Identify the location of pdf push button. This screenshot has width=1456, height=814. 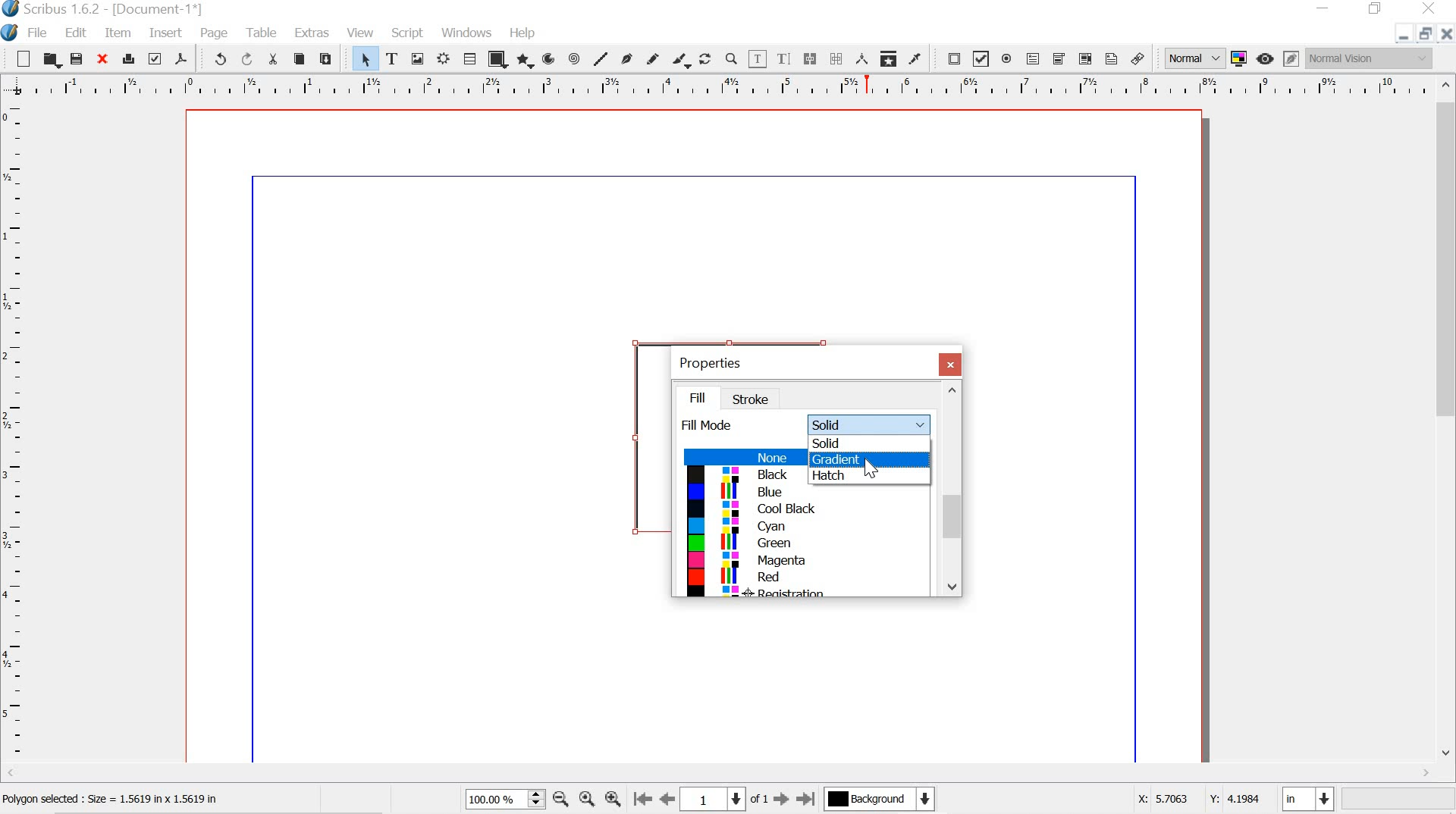
(952, 58).